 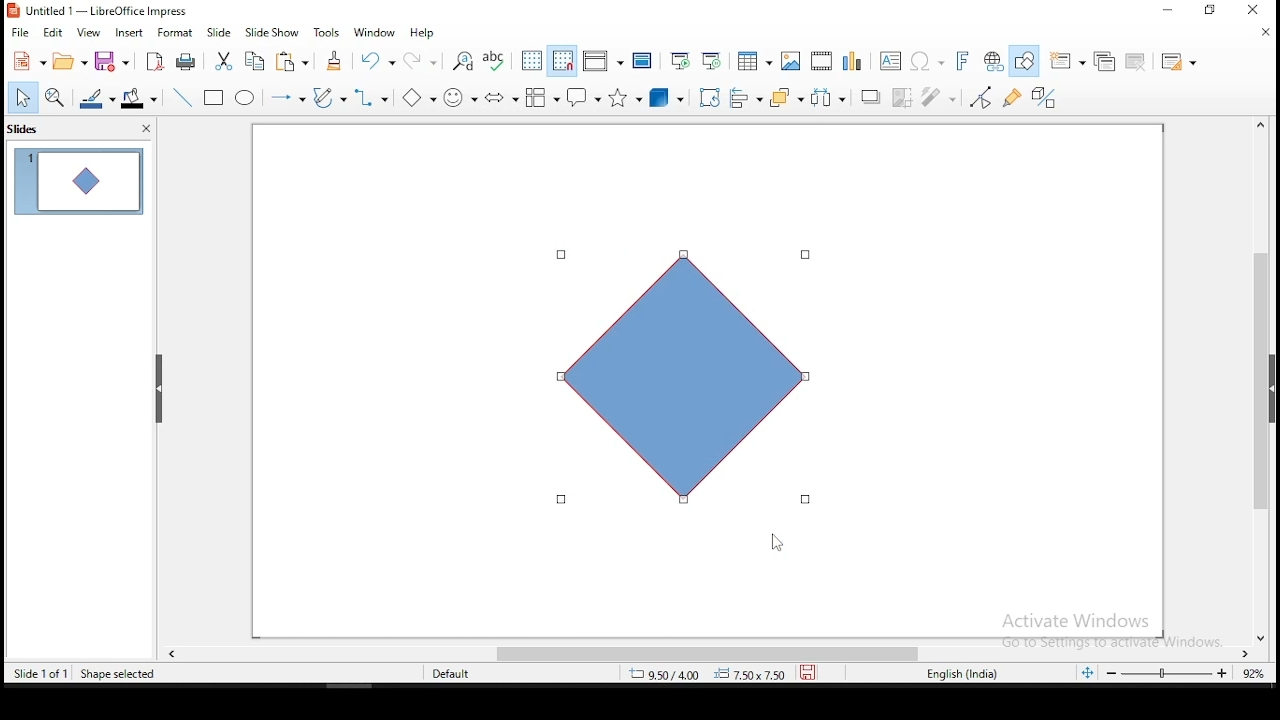 I want to click on export as pdf, so click(x=157, y=61).